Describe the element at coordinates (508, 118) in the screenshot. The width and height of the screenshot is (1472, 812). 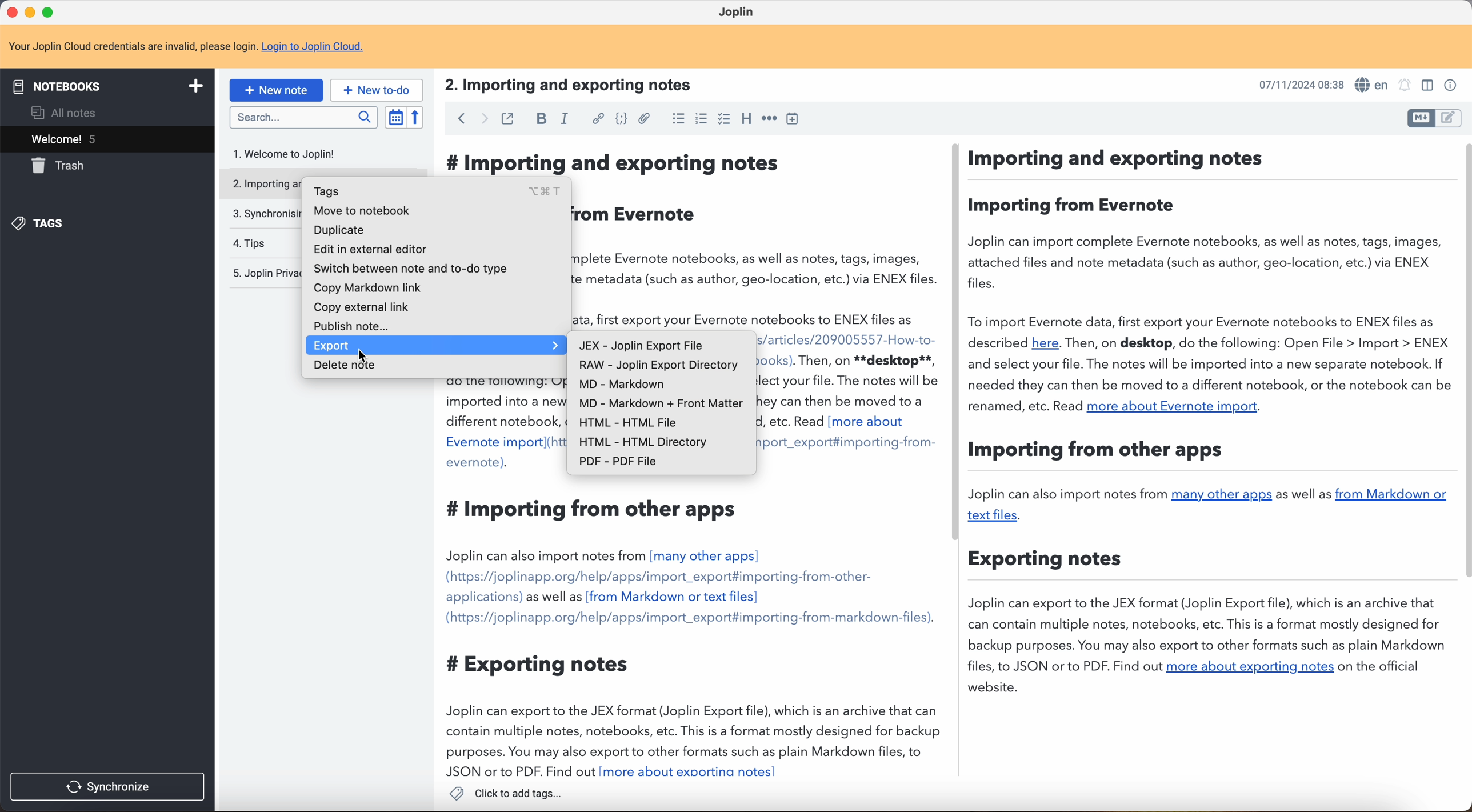
I see `toggle external editing` at that location.